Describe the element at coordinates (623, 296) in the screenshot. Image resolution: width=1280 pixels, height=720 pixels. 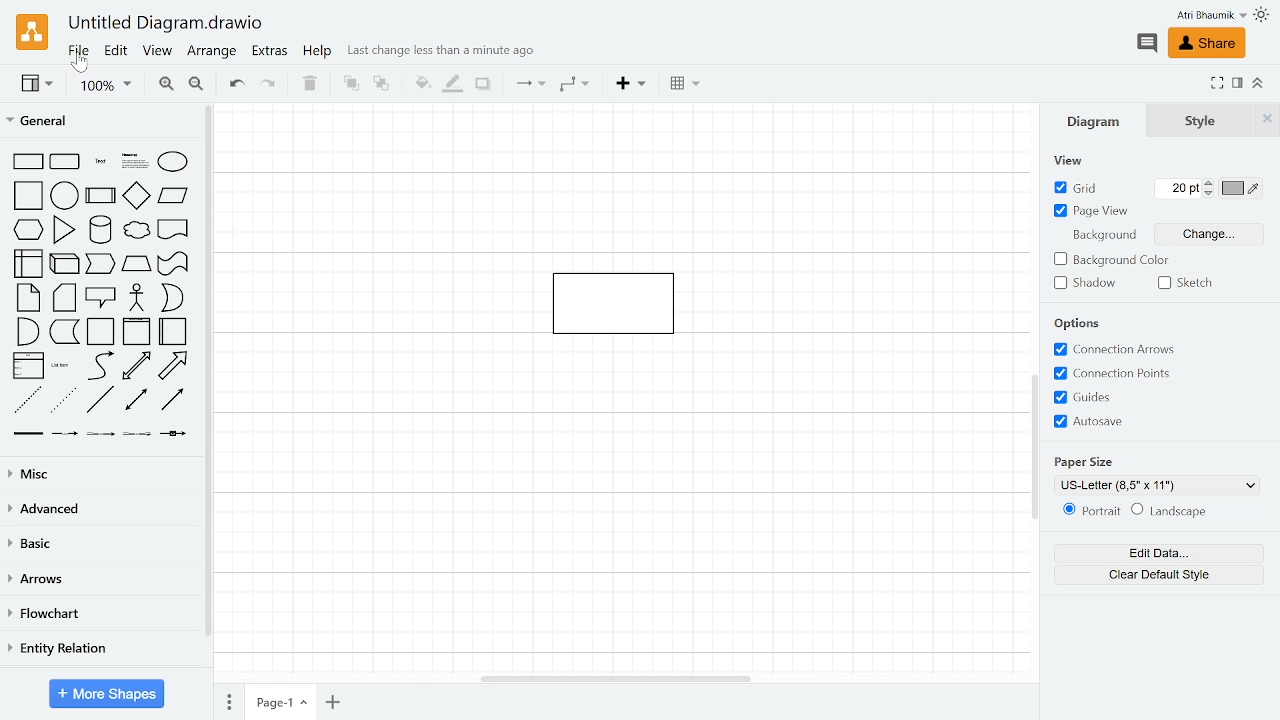
I see `Current diagram` at that location.